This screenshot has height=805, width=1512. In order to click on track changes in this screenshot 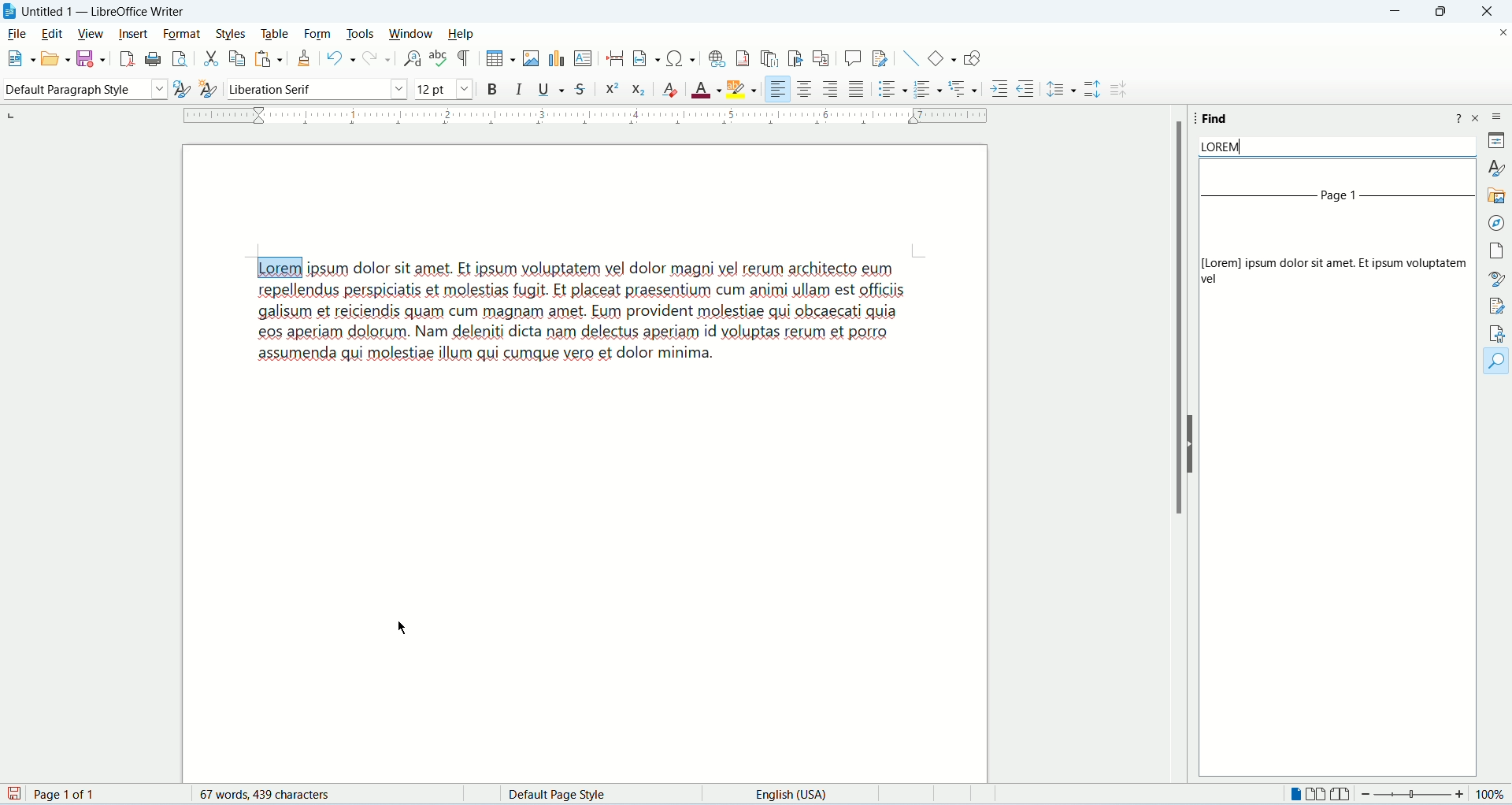, I will do `click(882, 58)`.